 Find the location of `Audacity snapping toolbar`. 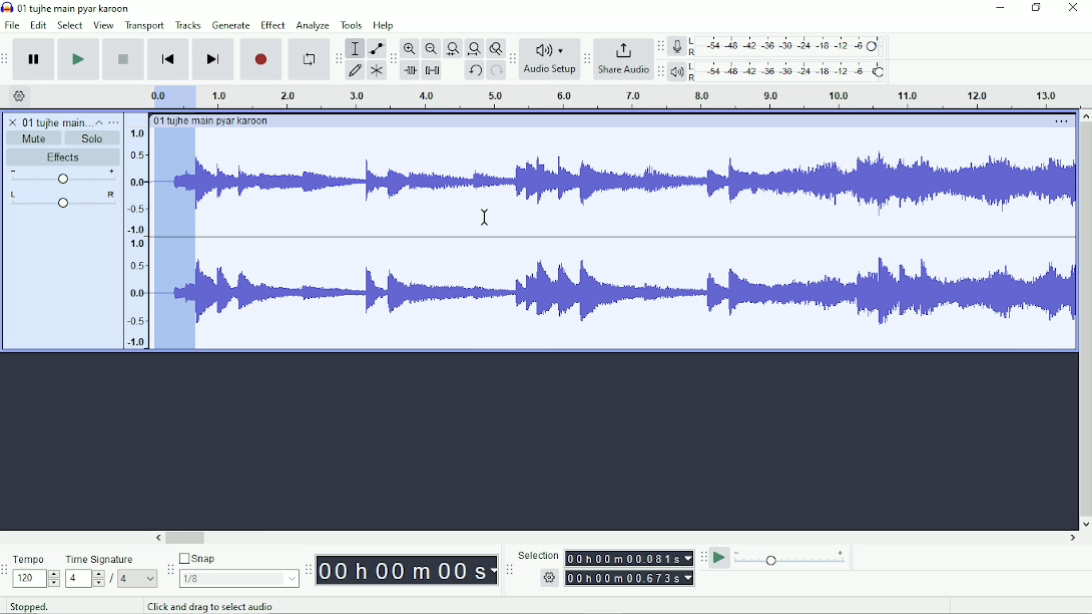

Audacity snapping toolbar is located at coordinates (169, 569).